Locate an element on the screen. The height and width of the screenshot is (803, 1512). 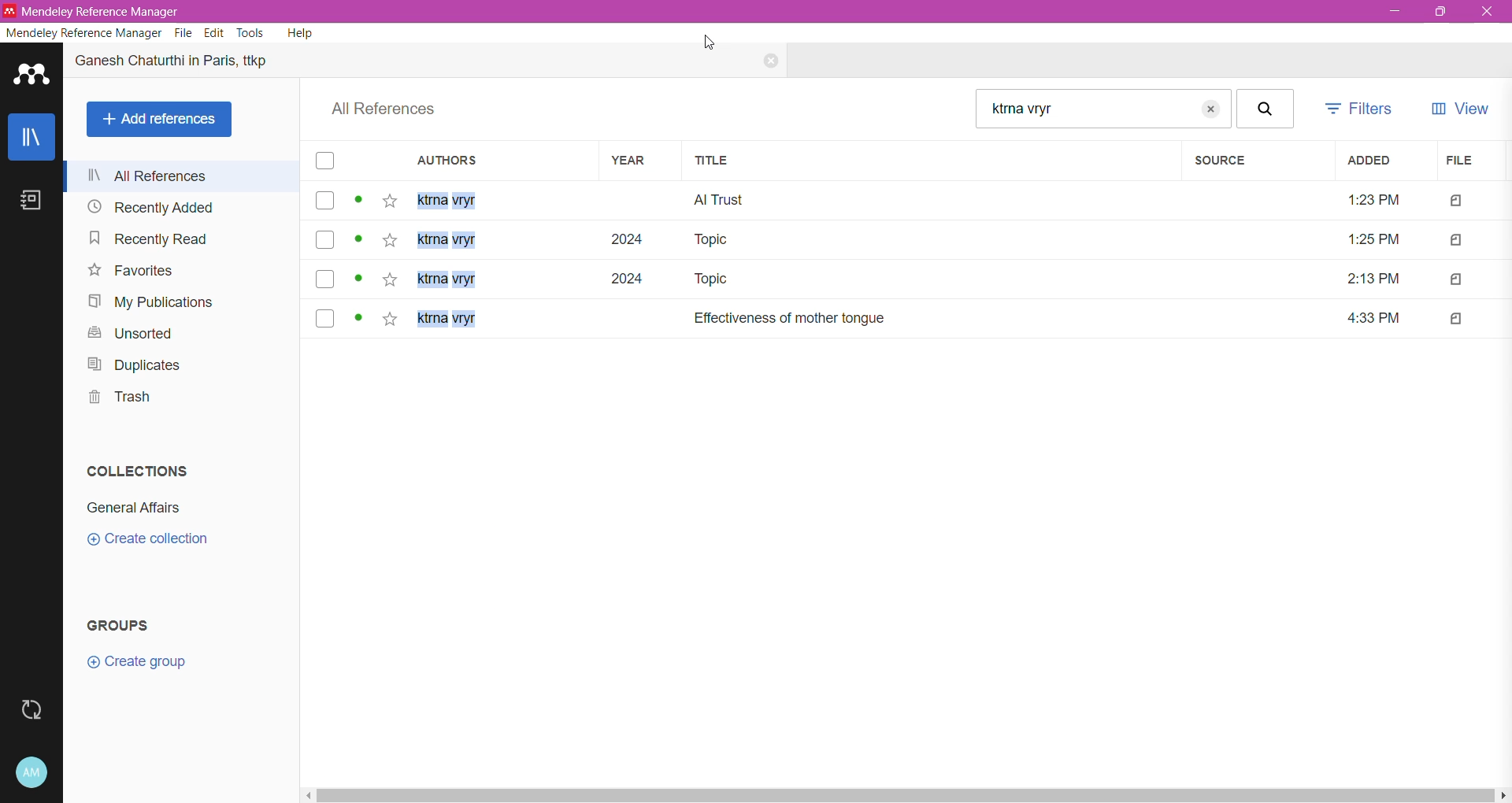
All References is located at coordinates (391, 109).